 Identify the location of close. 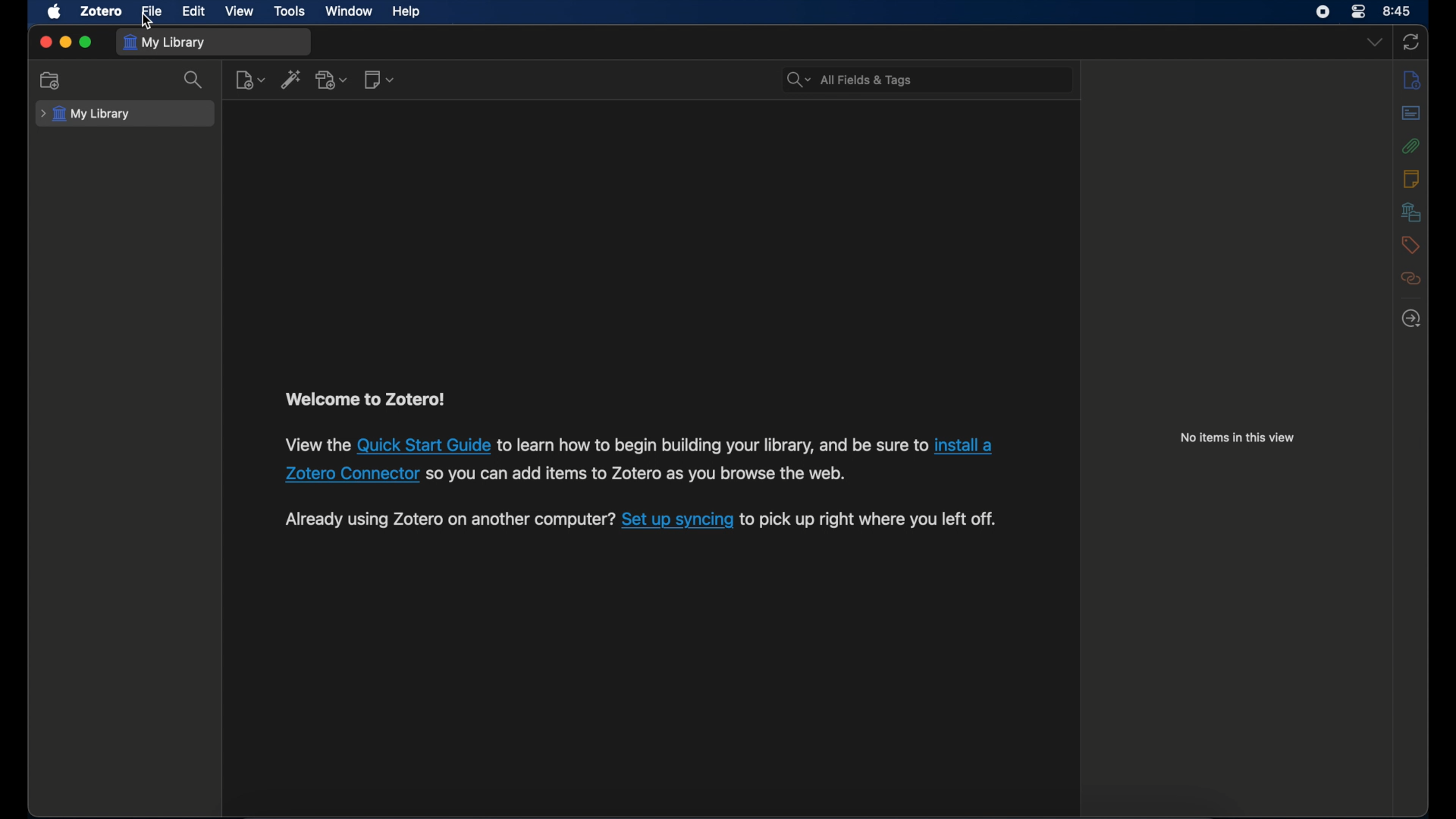
(45, 42).